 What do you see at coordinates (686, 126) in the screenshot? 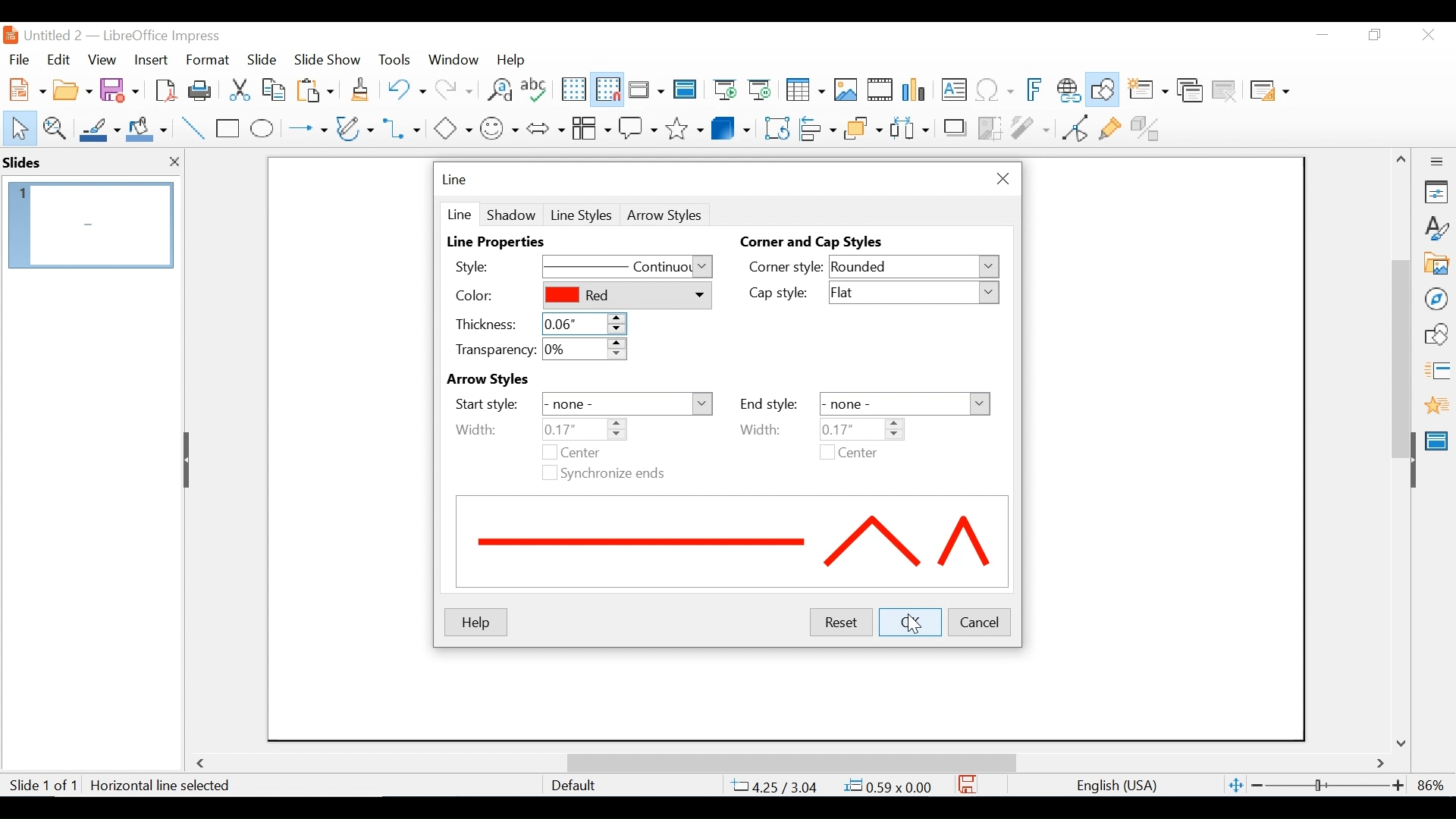
I see `Stars and Banners` at bounding box center [686, 126].